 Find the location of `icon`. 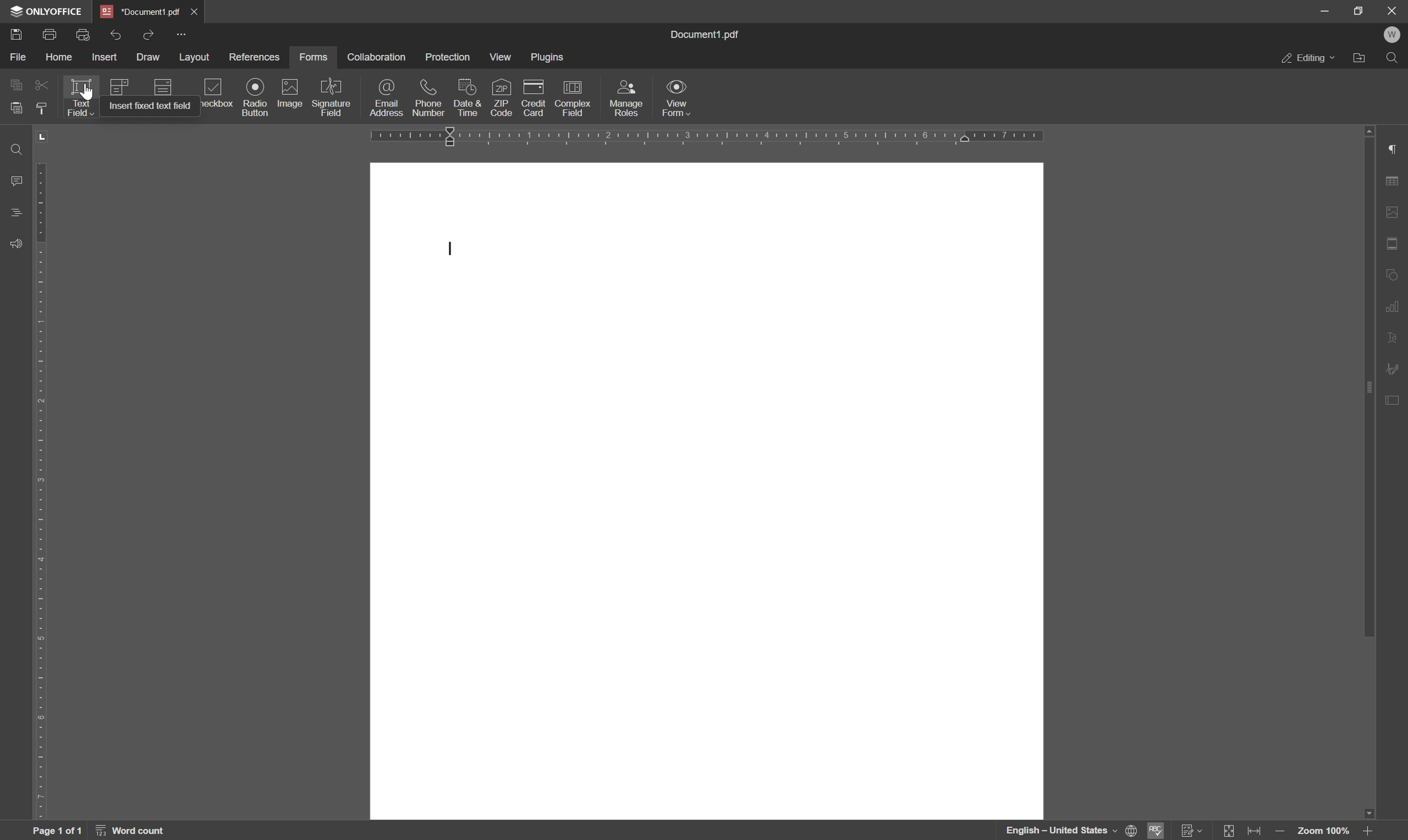

icon is located at coordinates (118, 87).